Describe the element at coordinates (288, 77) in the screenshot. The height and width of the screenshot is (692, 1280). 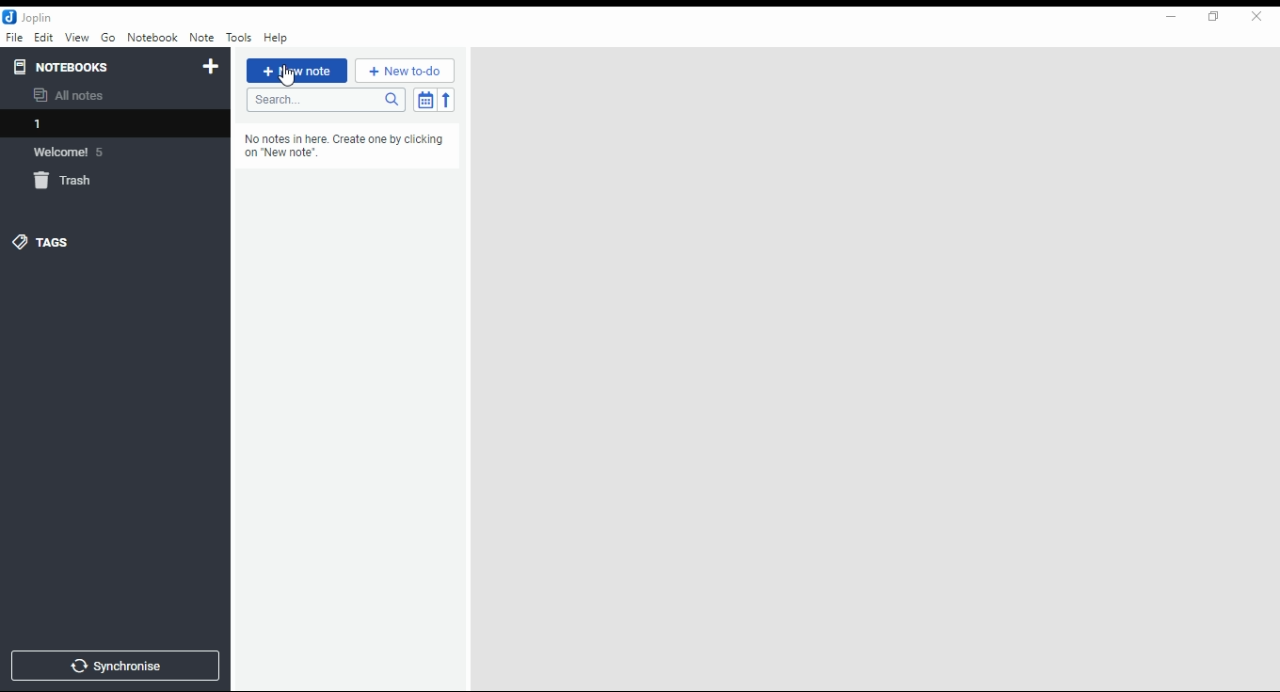
I see `mouse pointer` at that location.